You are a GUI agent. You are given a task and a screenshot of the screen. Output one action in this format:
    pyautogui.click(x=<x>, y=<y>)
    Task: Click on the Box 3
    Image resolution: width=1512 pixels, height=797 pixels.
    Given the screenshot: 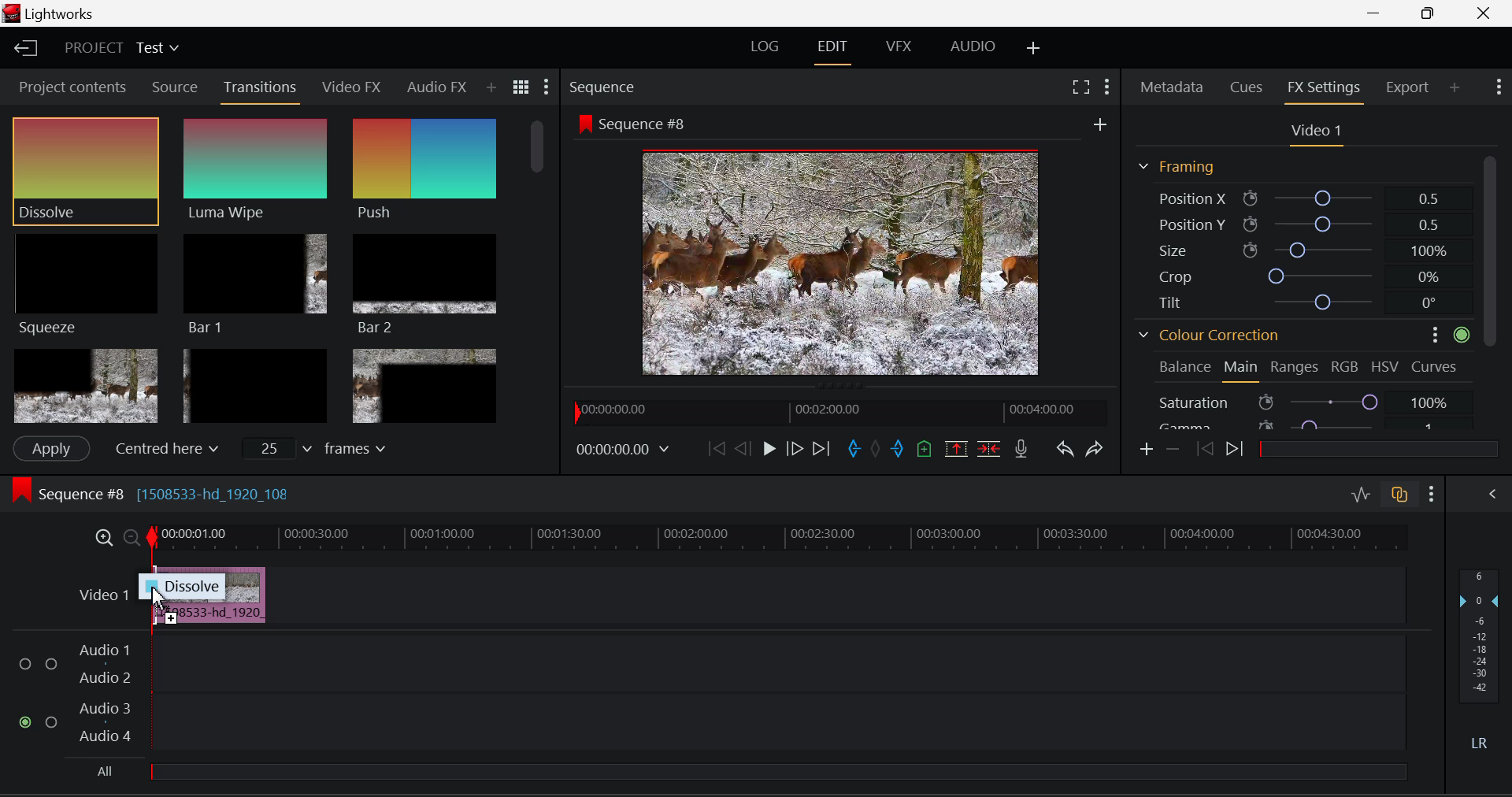 What is the action you would take?
    pyautogui.click(x=424, y=385)
    